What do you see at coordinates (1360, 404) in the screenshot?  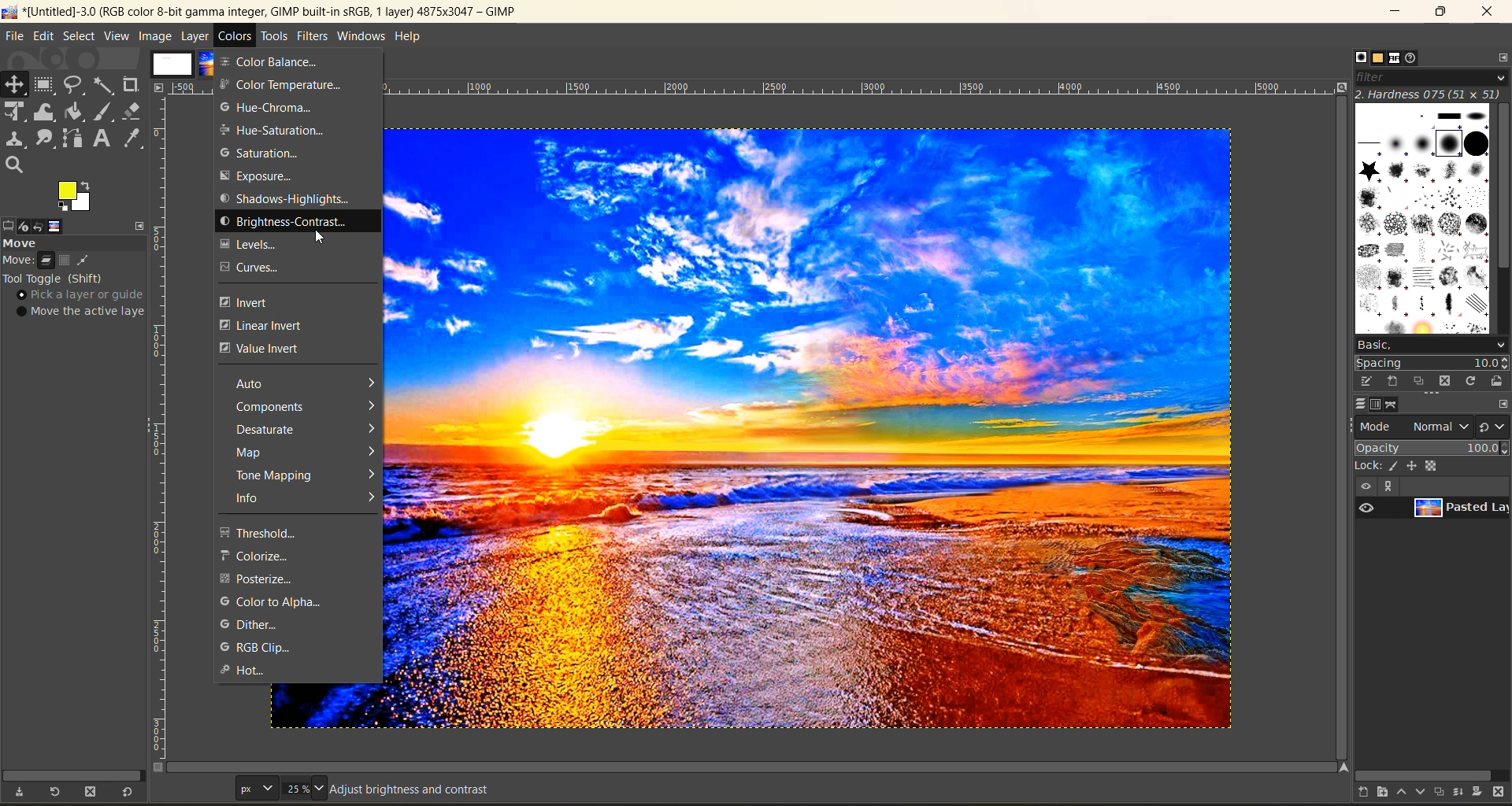 I see `layers` at bounding box center [1360, 404].